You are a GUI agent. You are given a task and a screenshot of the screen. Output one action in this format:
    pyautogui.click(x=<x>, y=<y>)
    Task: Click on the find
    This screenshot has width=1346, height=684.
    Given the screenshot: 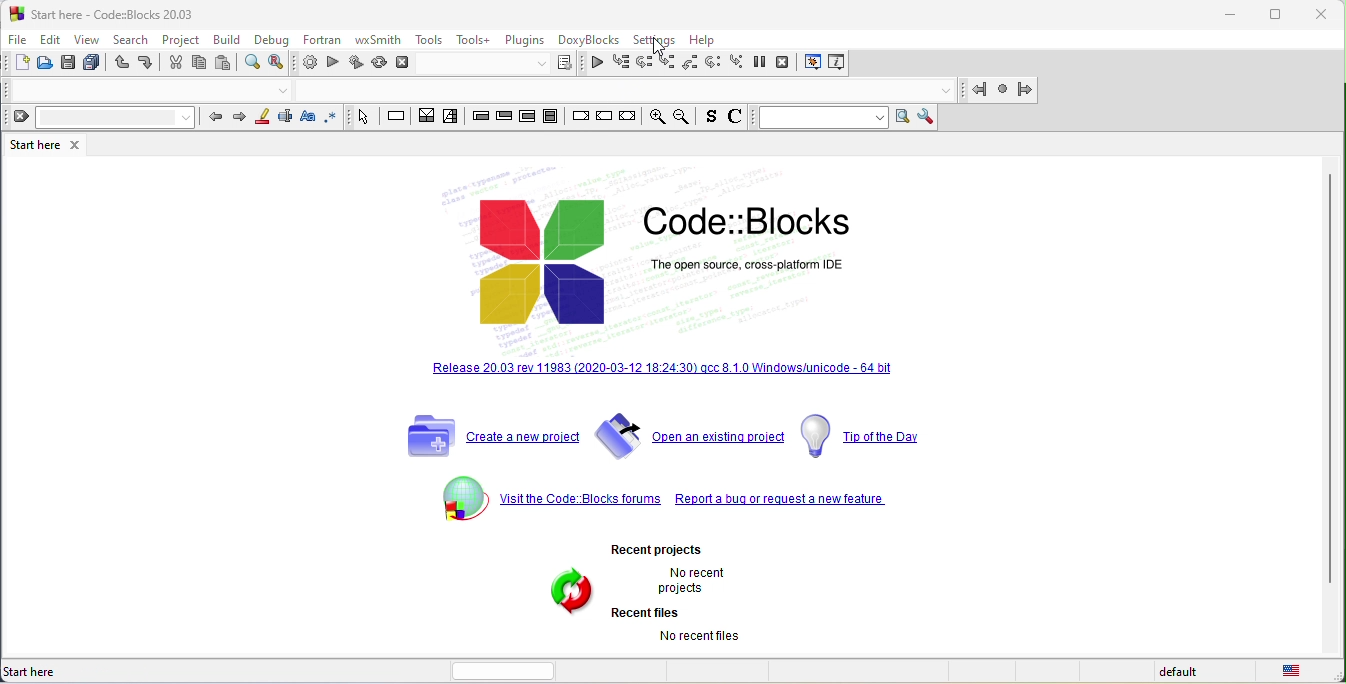 What is the action you would take?
    pyautogui.click(x=255, y=66)
    